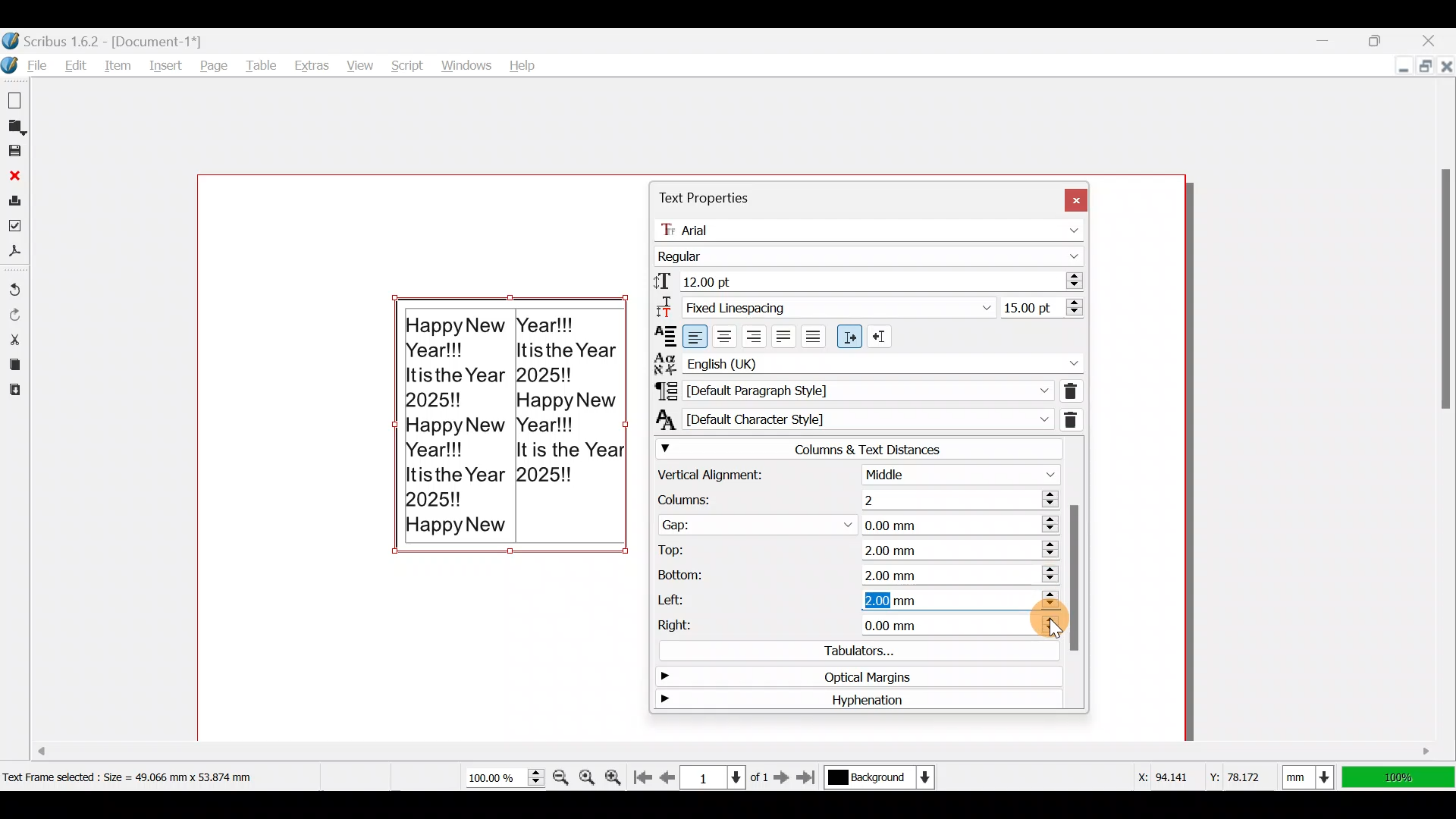 This screenshot has width=1456, height=819. I want to click on View, so click(358, 62).